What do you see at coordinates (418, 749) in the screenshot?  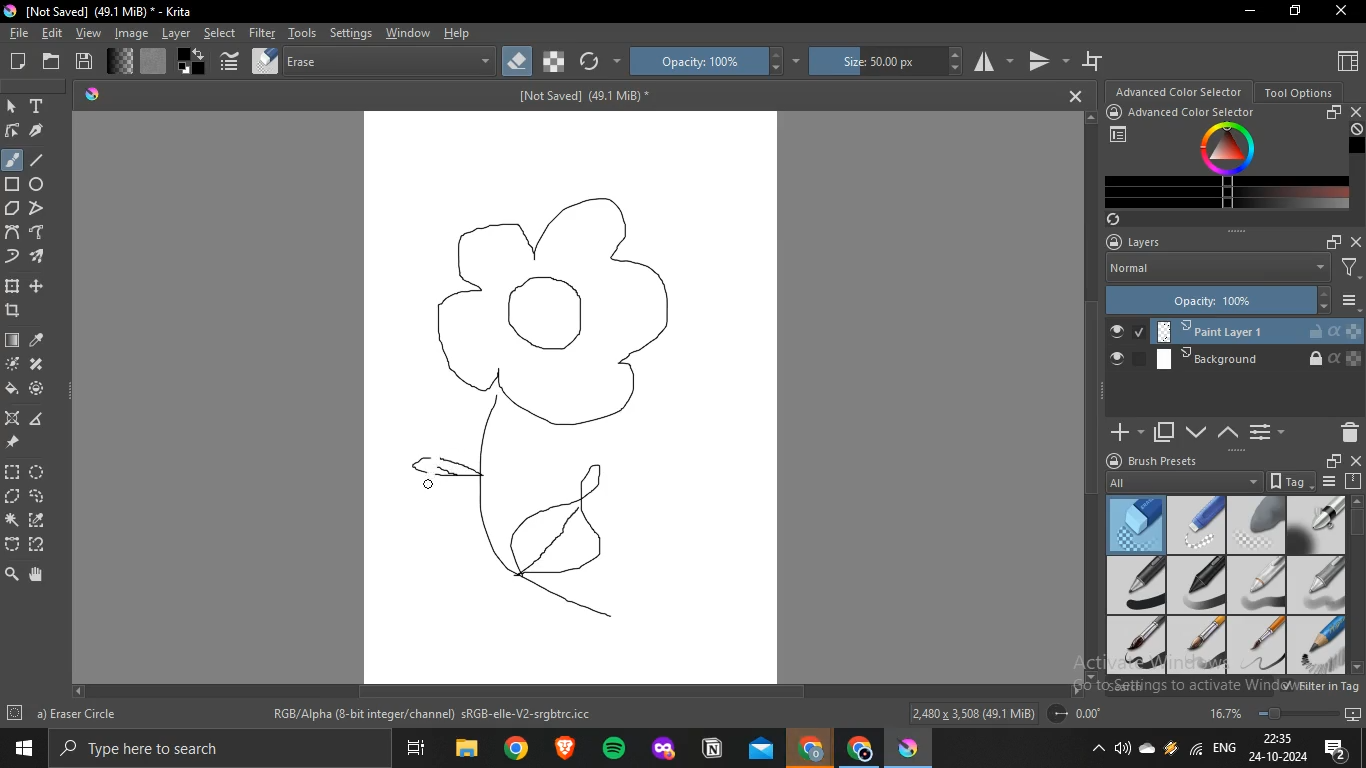 I see `Application` at bounding box center [418, 749].